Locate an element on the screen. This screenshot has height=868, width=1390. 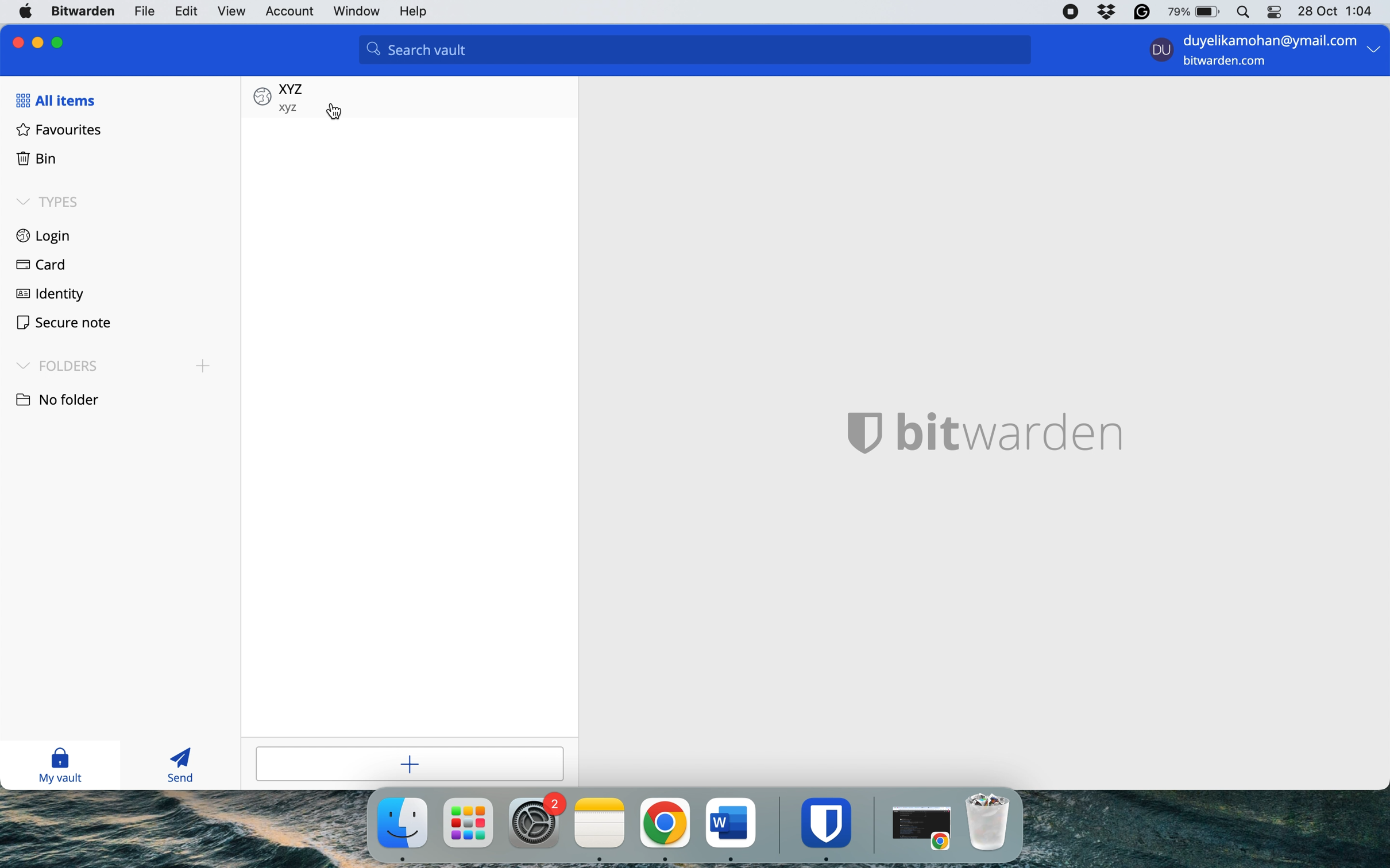
view is located at coordinates (233, 10).